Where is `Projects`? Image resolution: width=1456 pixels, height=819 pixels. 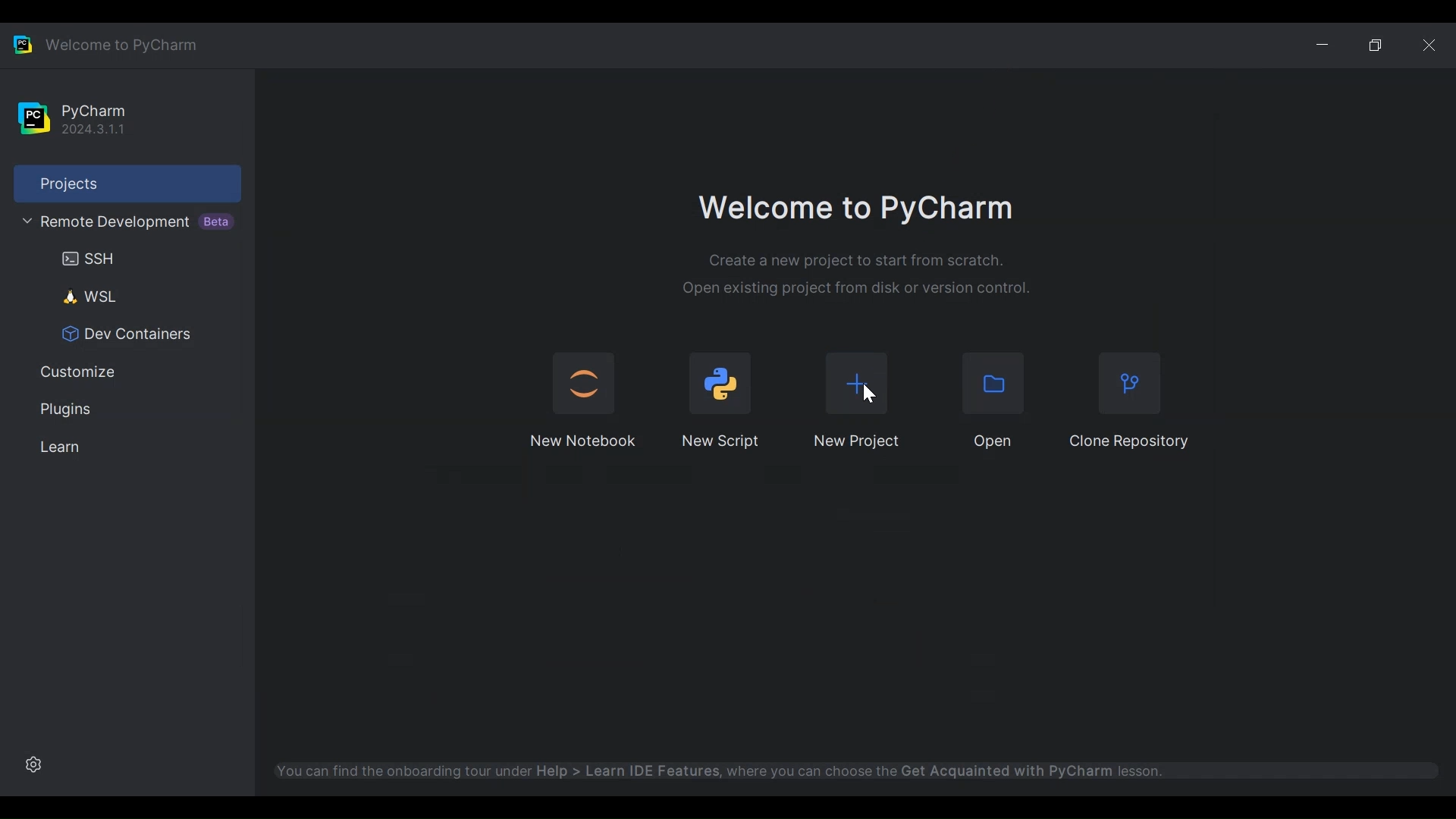
Projects is located at coordinates (127, 183).